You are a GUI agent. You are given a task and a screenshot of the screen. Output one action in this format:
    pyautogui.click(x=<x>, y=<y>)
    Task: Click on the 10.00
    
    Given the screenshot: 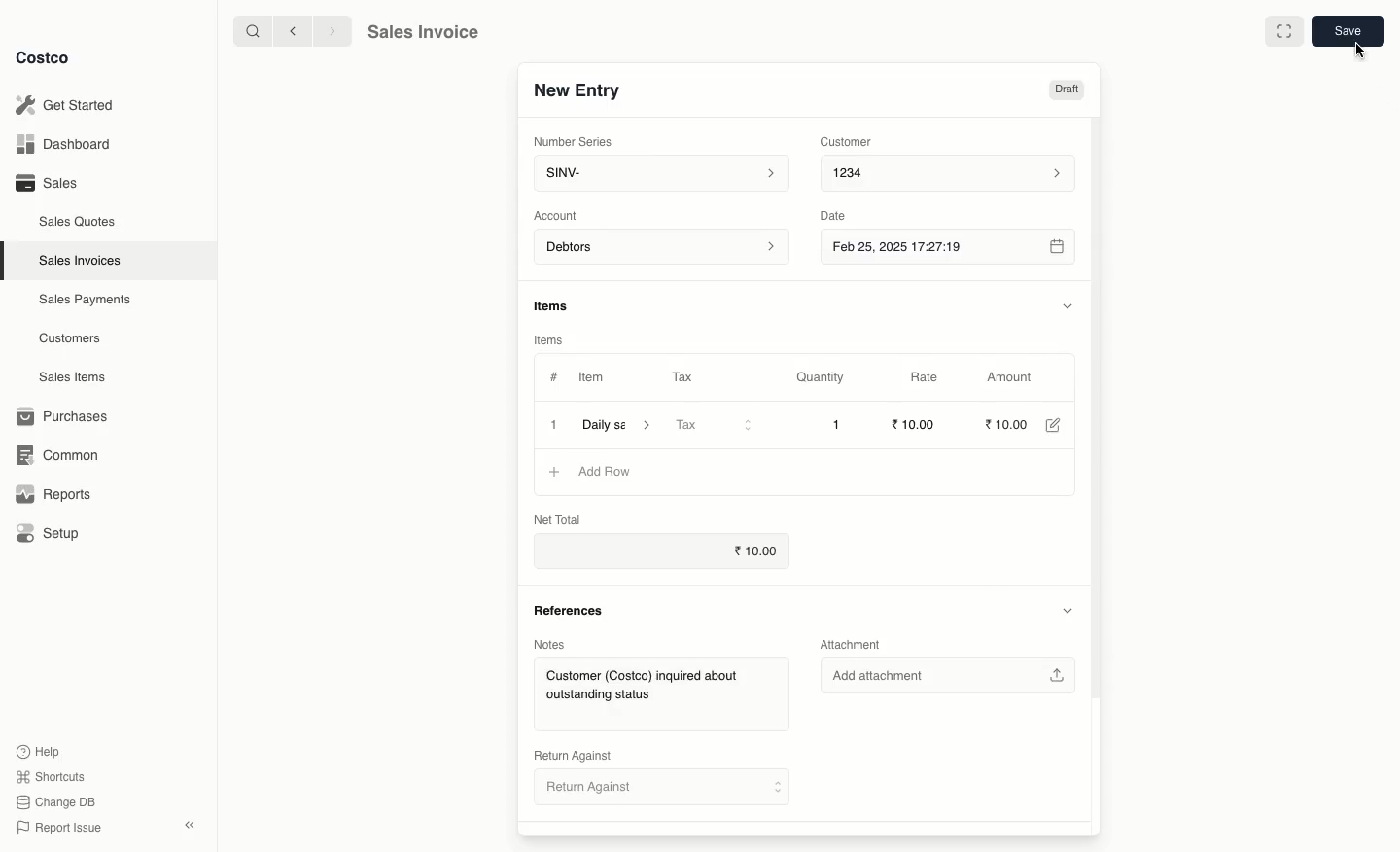 What is the action you would take?
    pyautogui.click(x=750, y=552)
    